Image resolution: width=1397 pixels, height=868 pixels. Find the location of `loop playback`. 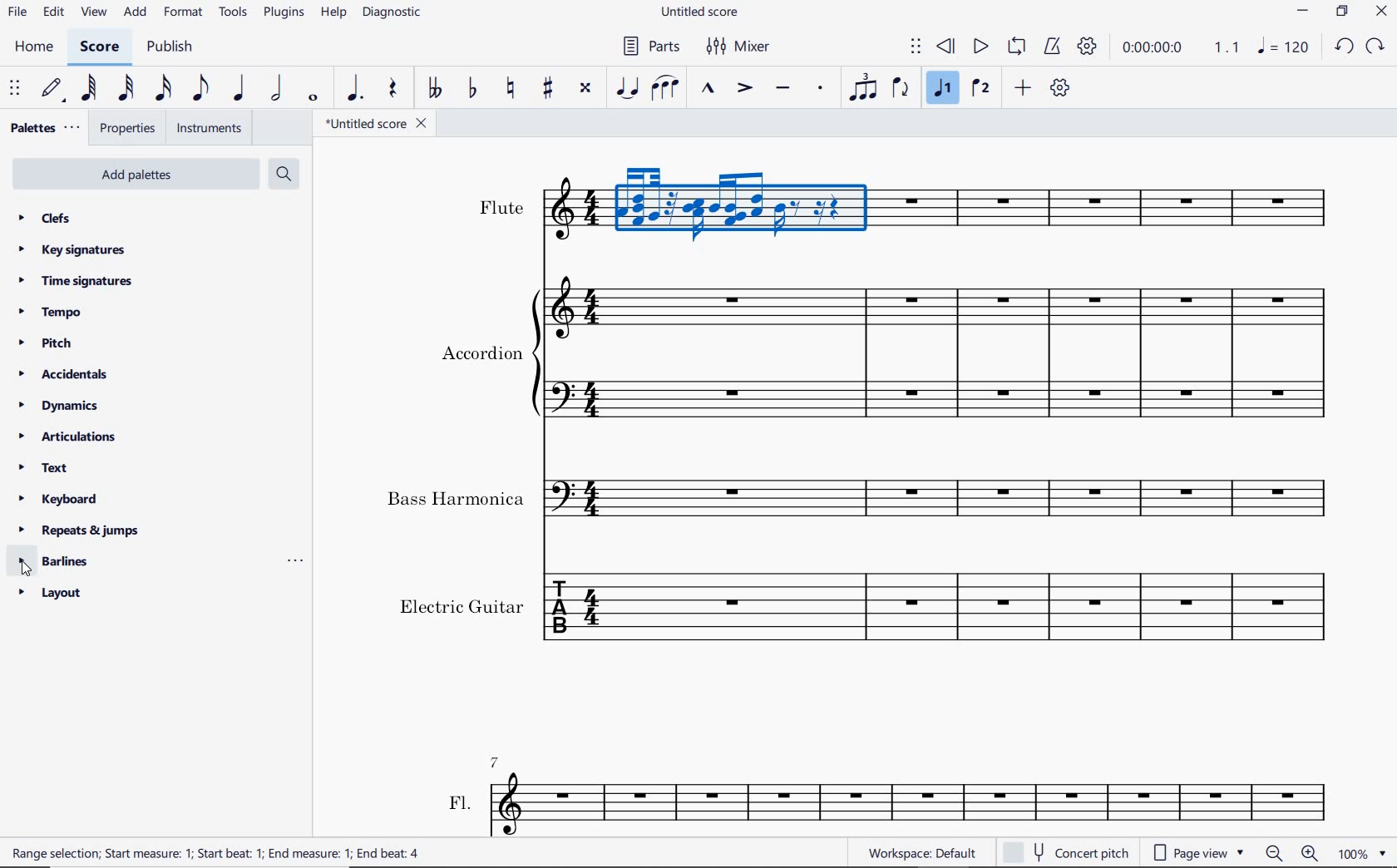

loop playback is located at coordinates (1016, 47).